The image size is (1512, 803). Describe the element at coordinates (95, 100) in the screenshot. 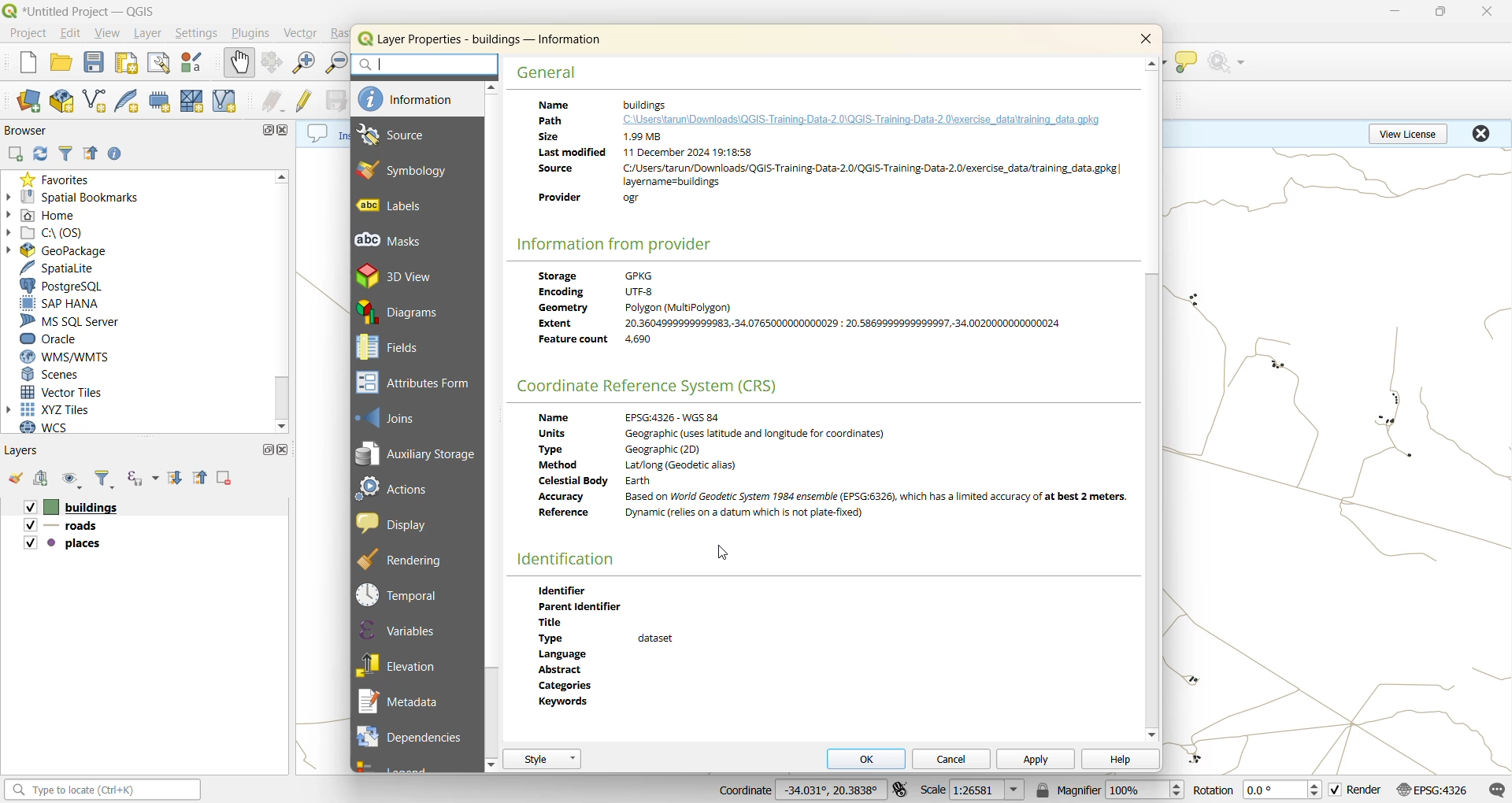

I see `new shapefile` at that location.